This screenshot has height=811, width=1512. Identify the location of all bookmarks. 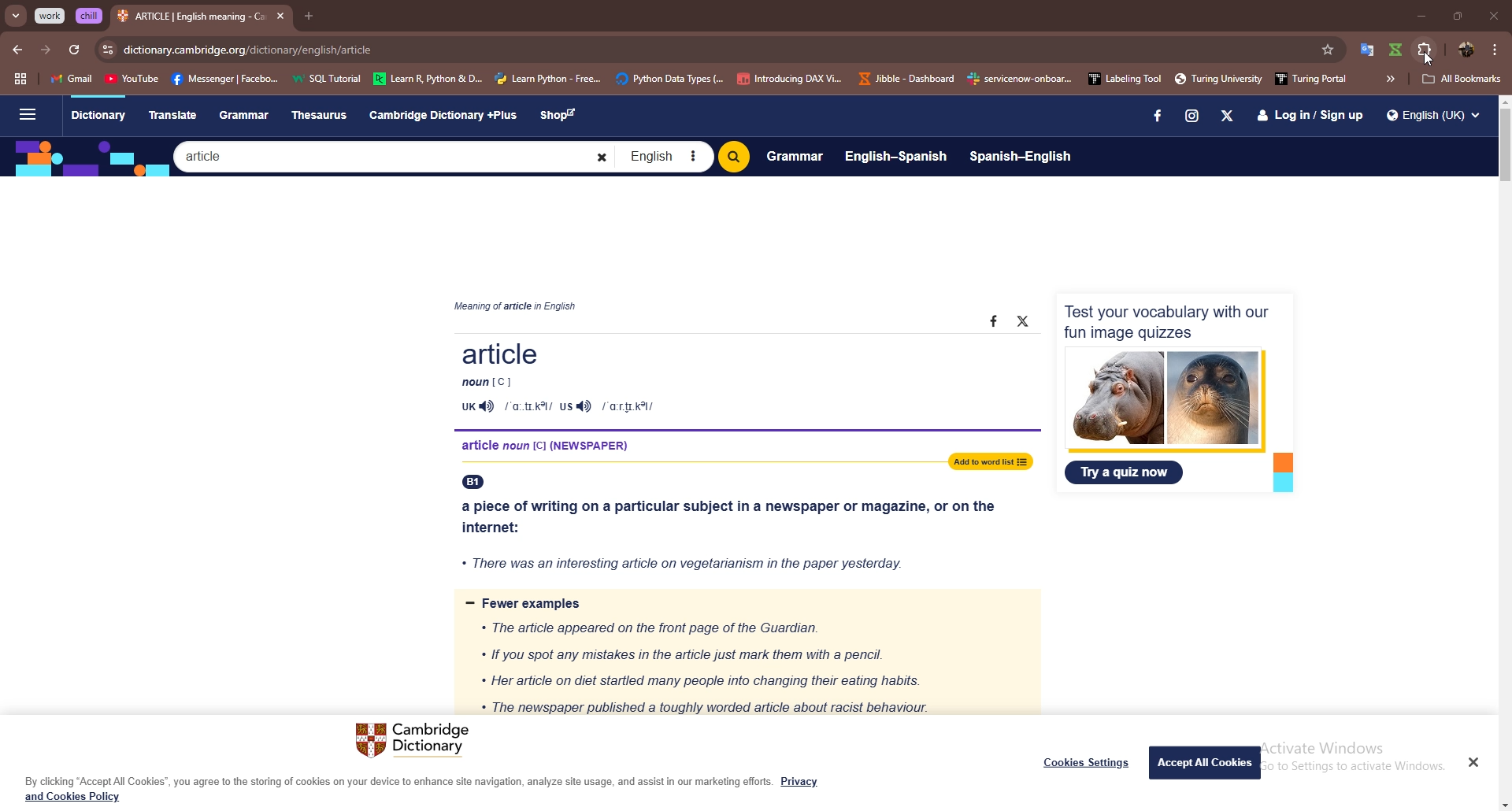
(1462, 79).